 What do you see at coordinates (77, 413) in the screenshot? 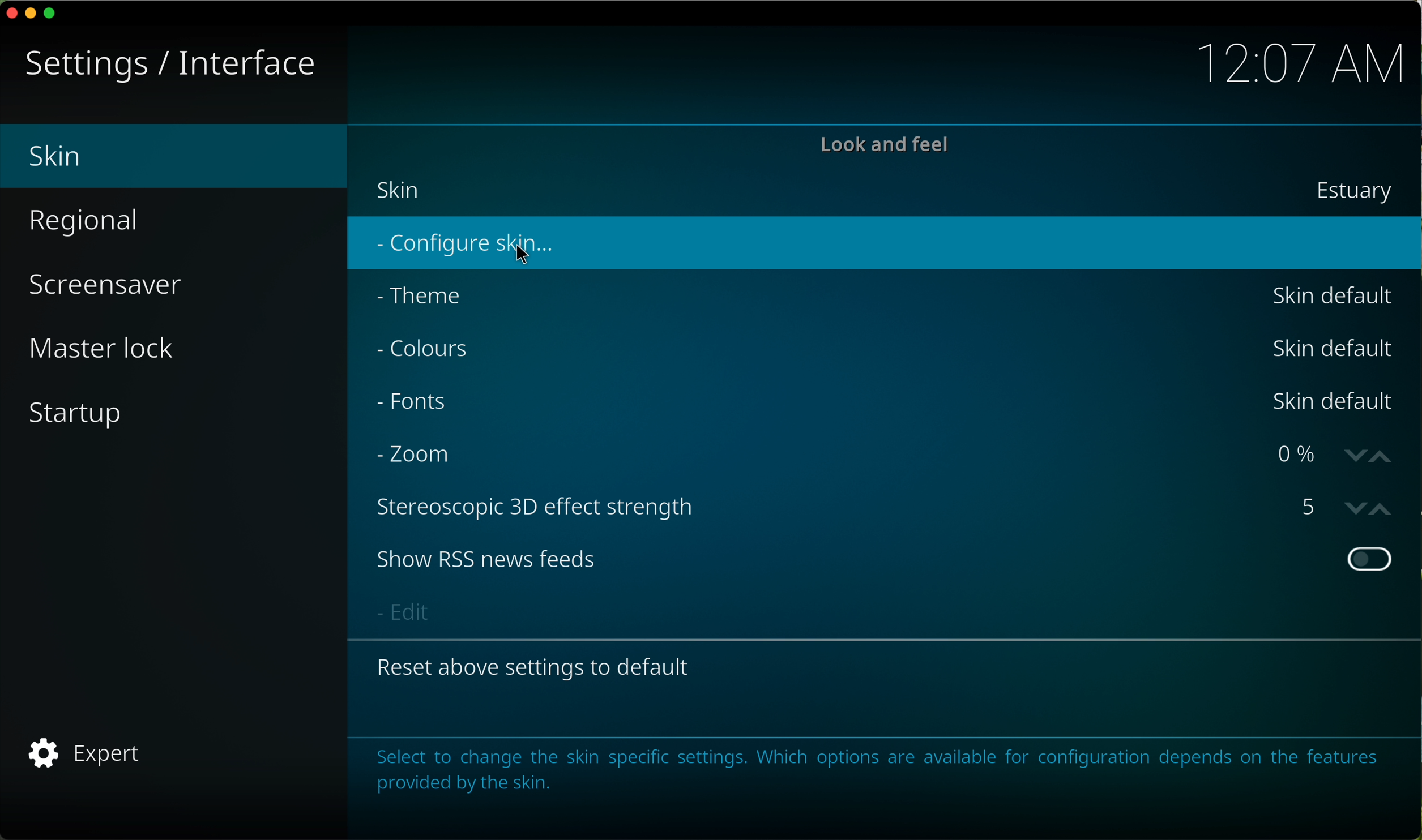
I see `startup` at bounding box center [77, 413].